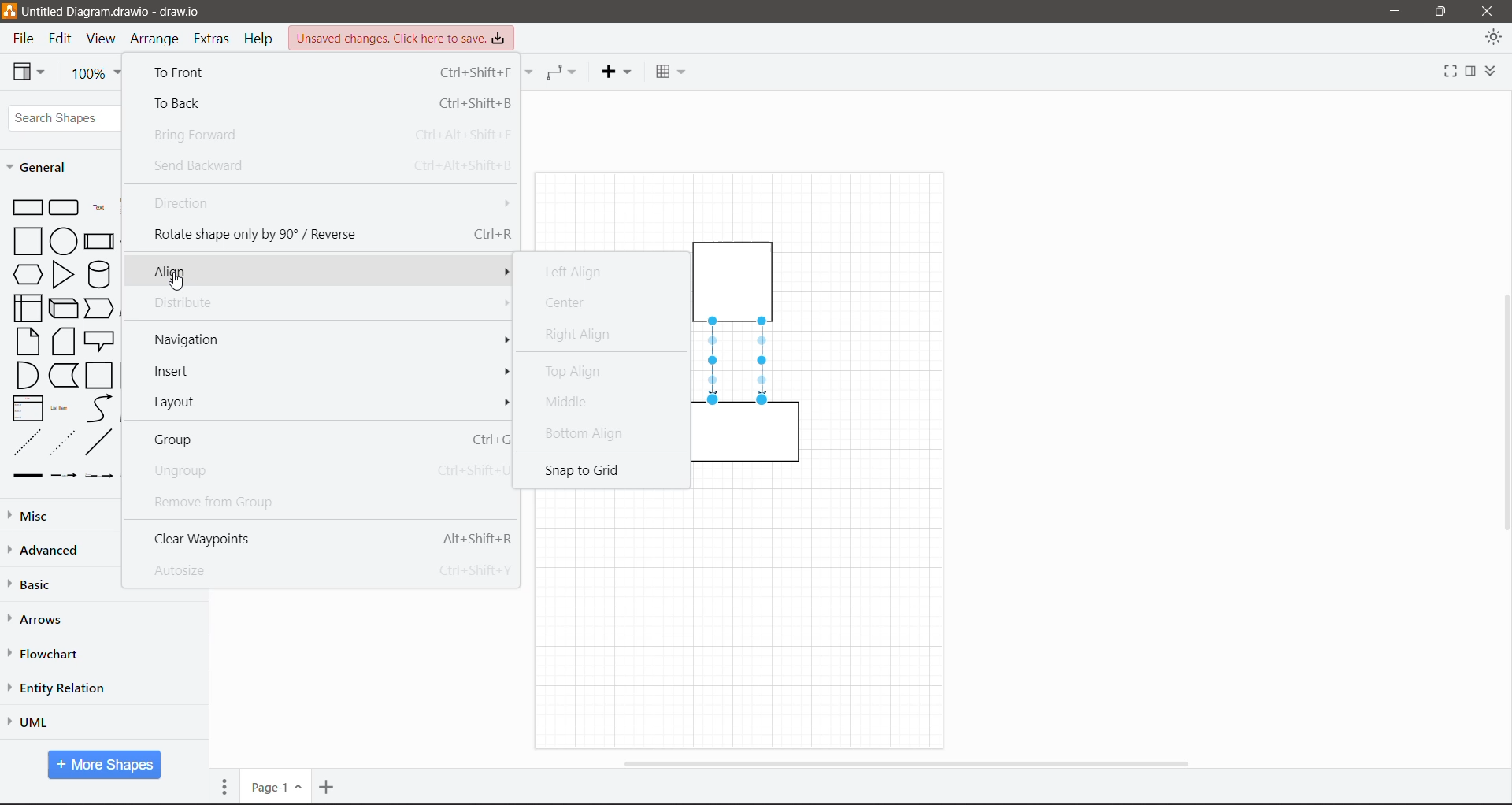 This screenshot has height=805, width=1512. I want to click on List Item, so click(61, 409).